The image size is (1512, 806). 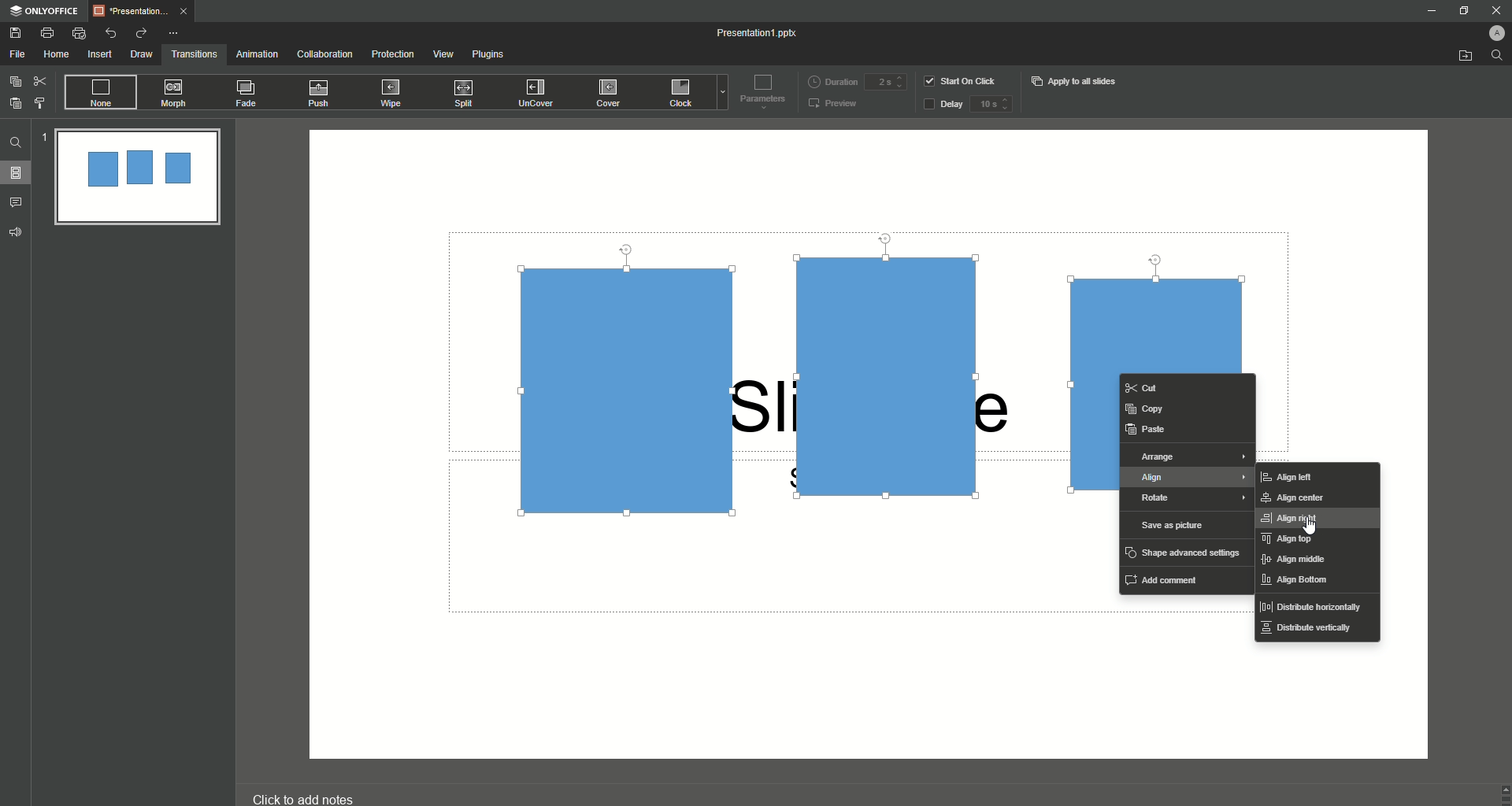 I want to click on Align left, so click(x=1288, y=477).